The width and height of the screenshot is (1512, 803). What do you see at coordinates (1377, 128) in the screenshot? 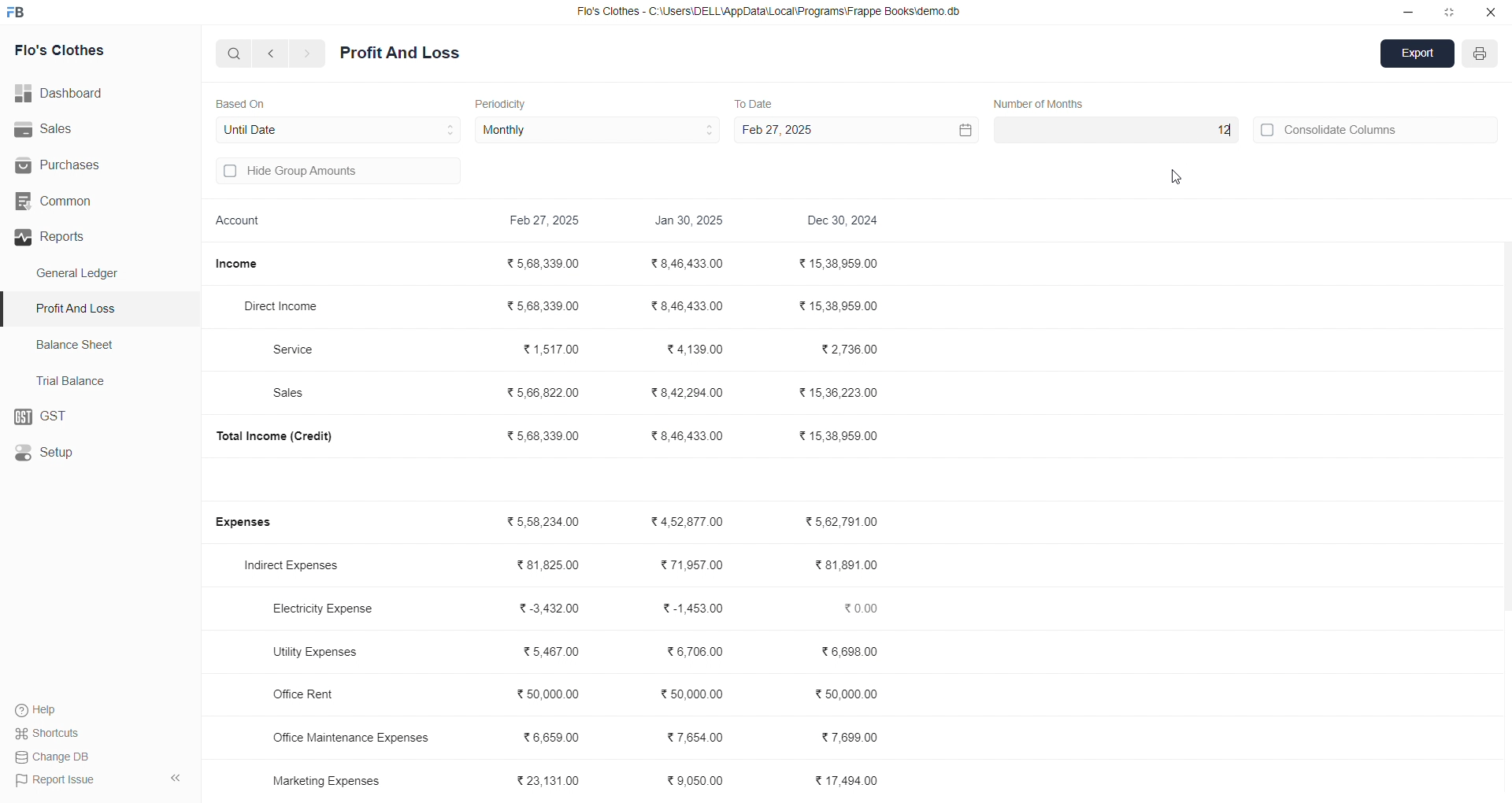
I see `Consolidate Columns` at bounding box center [1377, 128].